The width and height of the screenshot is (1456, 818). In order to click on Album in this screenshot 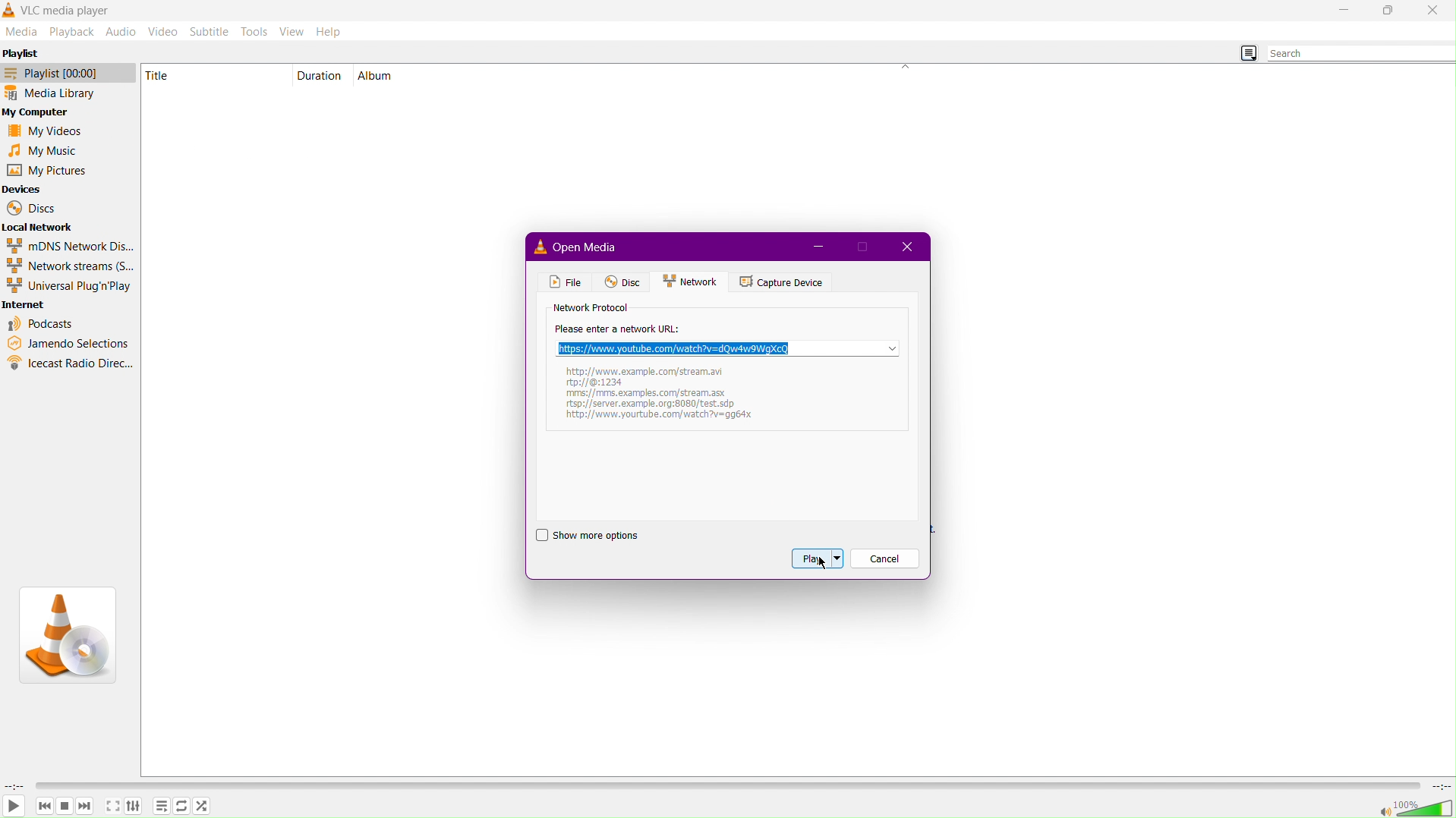, I will do `click(378, 74)`.